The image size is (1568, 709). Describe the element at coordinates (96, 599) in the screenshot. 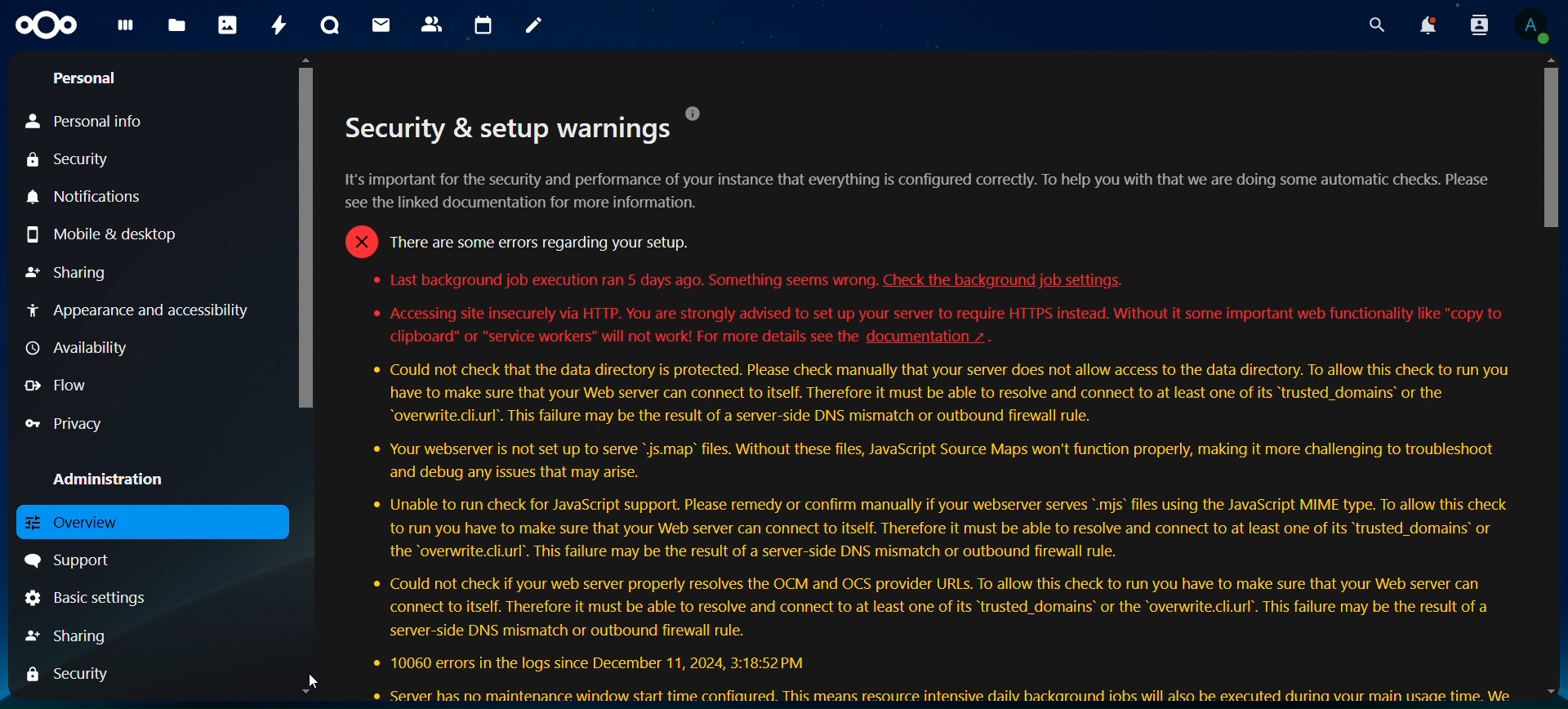

I see `basic settings` at that location.